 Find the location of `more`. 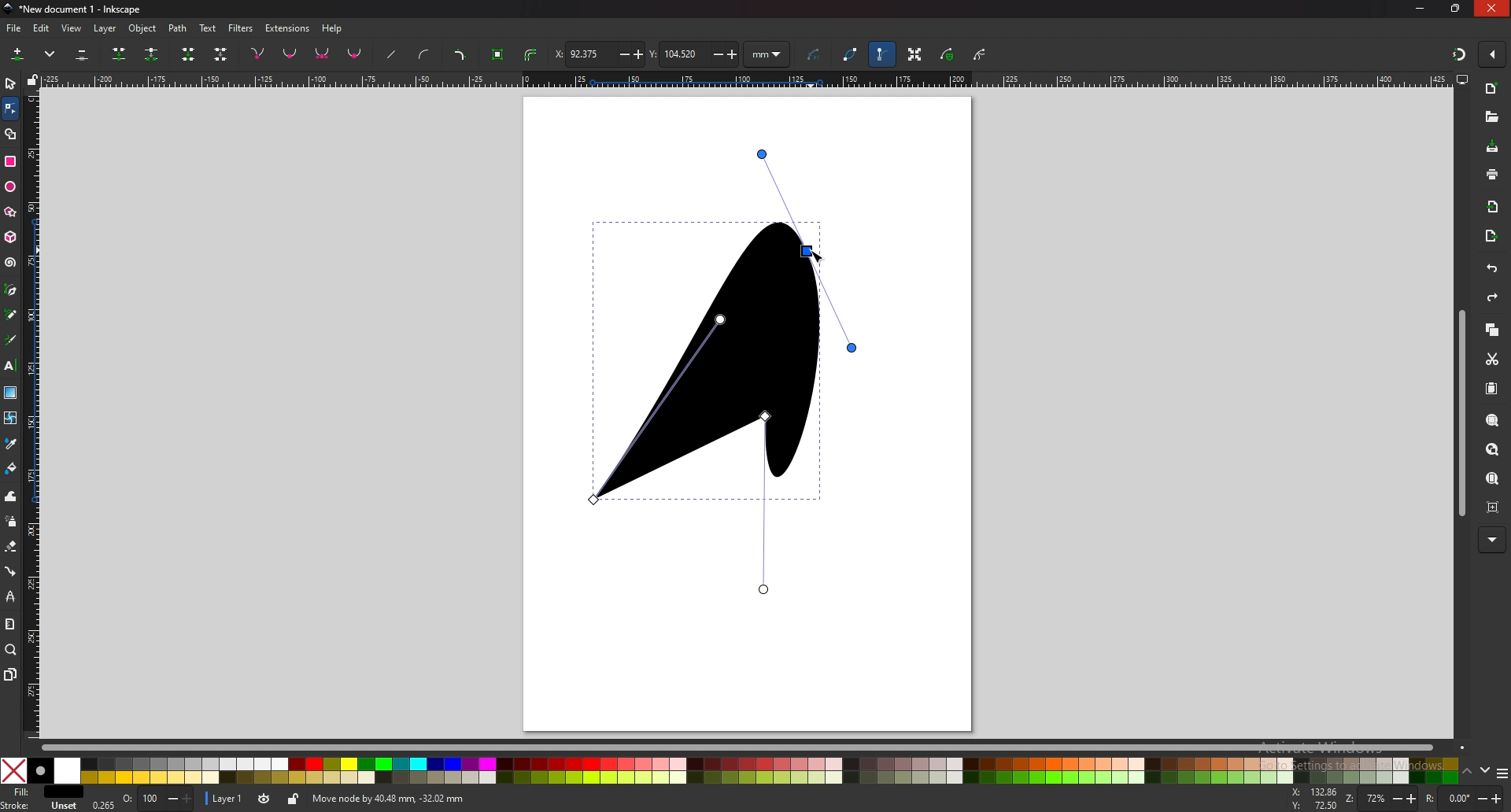

more is located at coordinates (1492, 539).